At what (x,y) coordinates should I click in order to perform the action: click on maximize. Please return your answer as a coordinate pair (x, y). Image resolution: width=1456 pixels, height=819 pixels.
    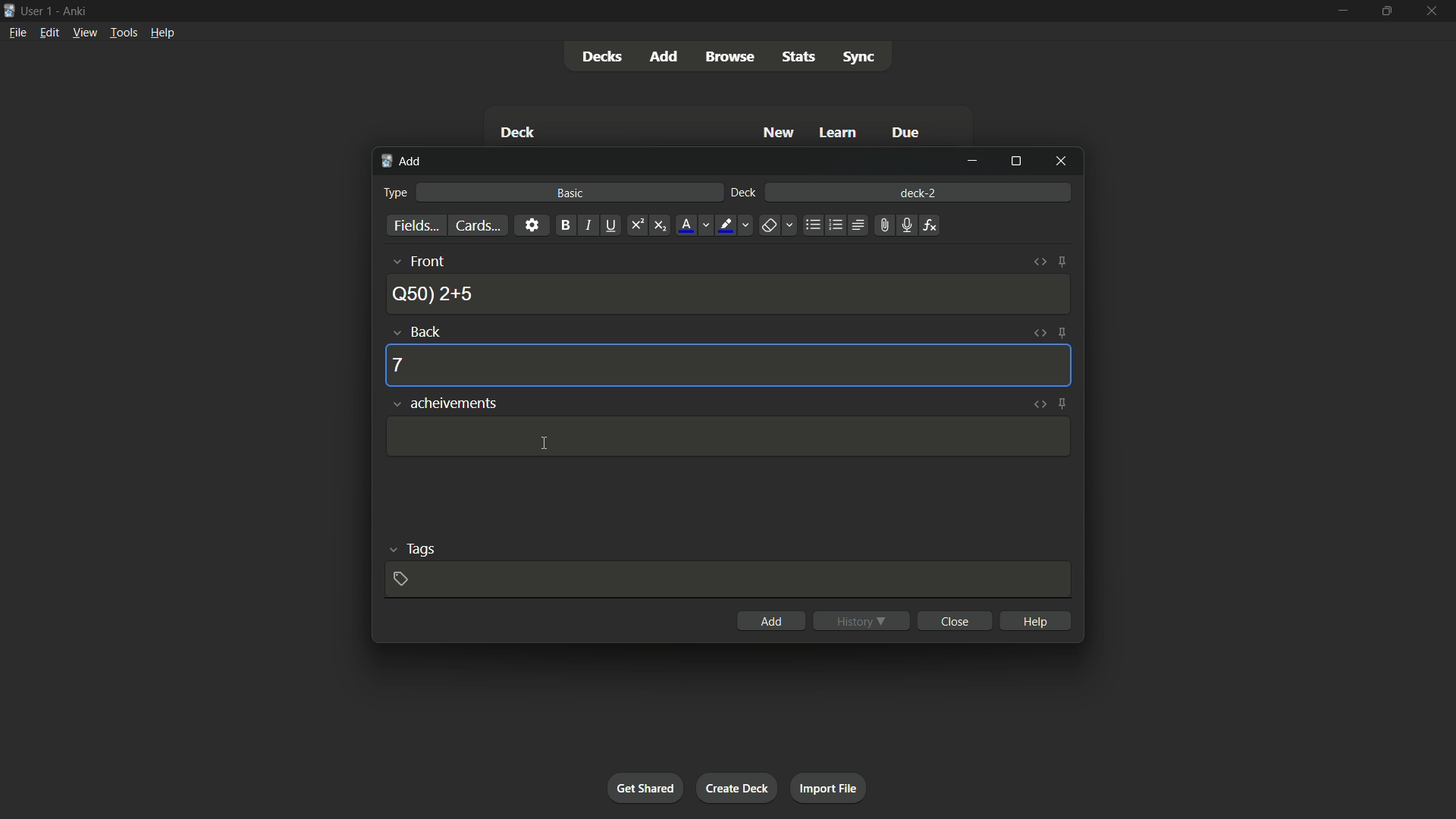
    Looking at the image, I should click on (1386, 11).